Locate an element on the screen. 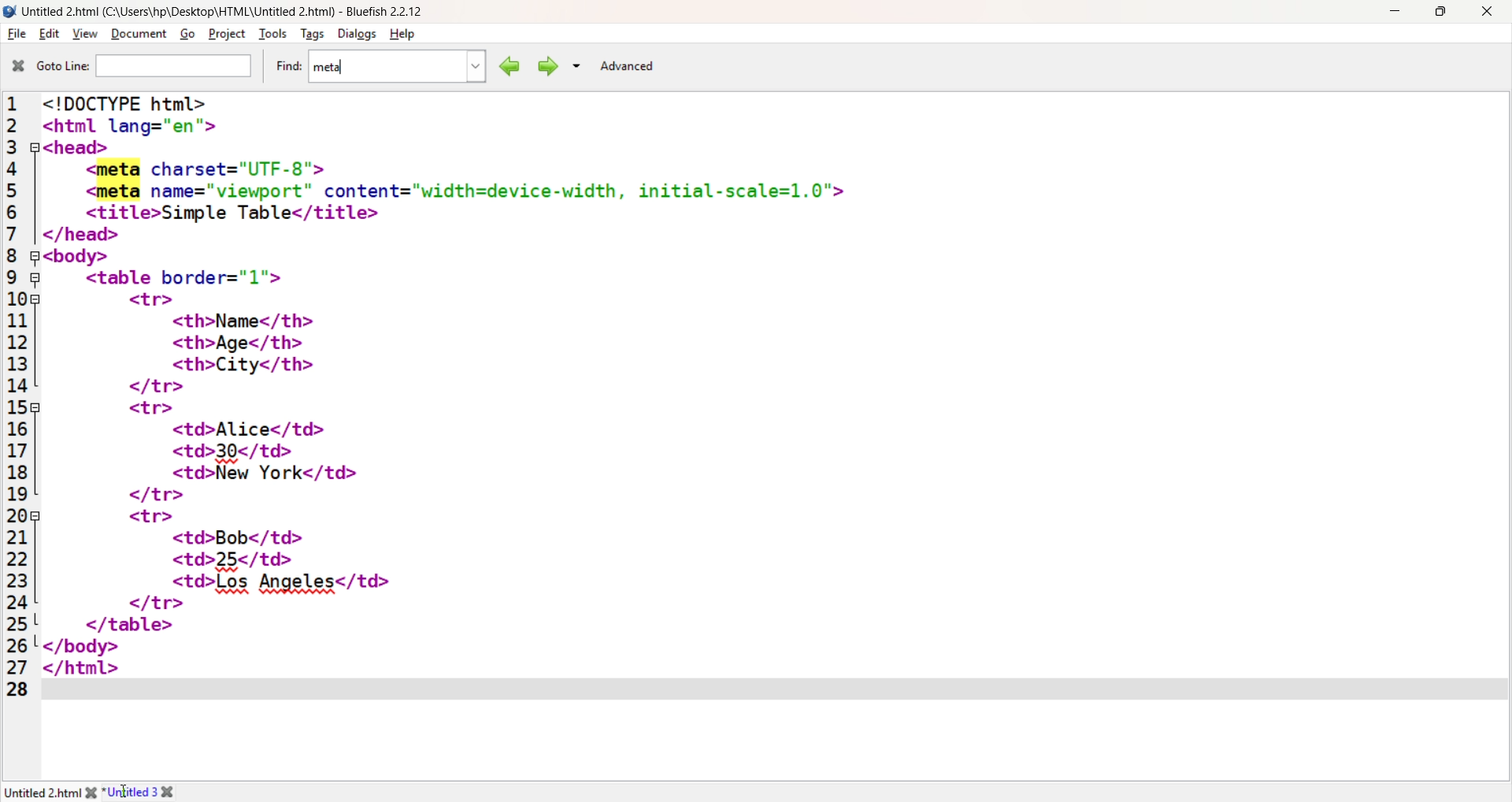  Line Numbers is located at coordinates (18, 398).